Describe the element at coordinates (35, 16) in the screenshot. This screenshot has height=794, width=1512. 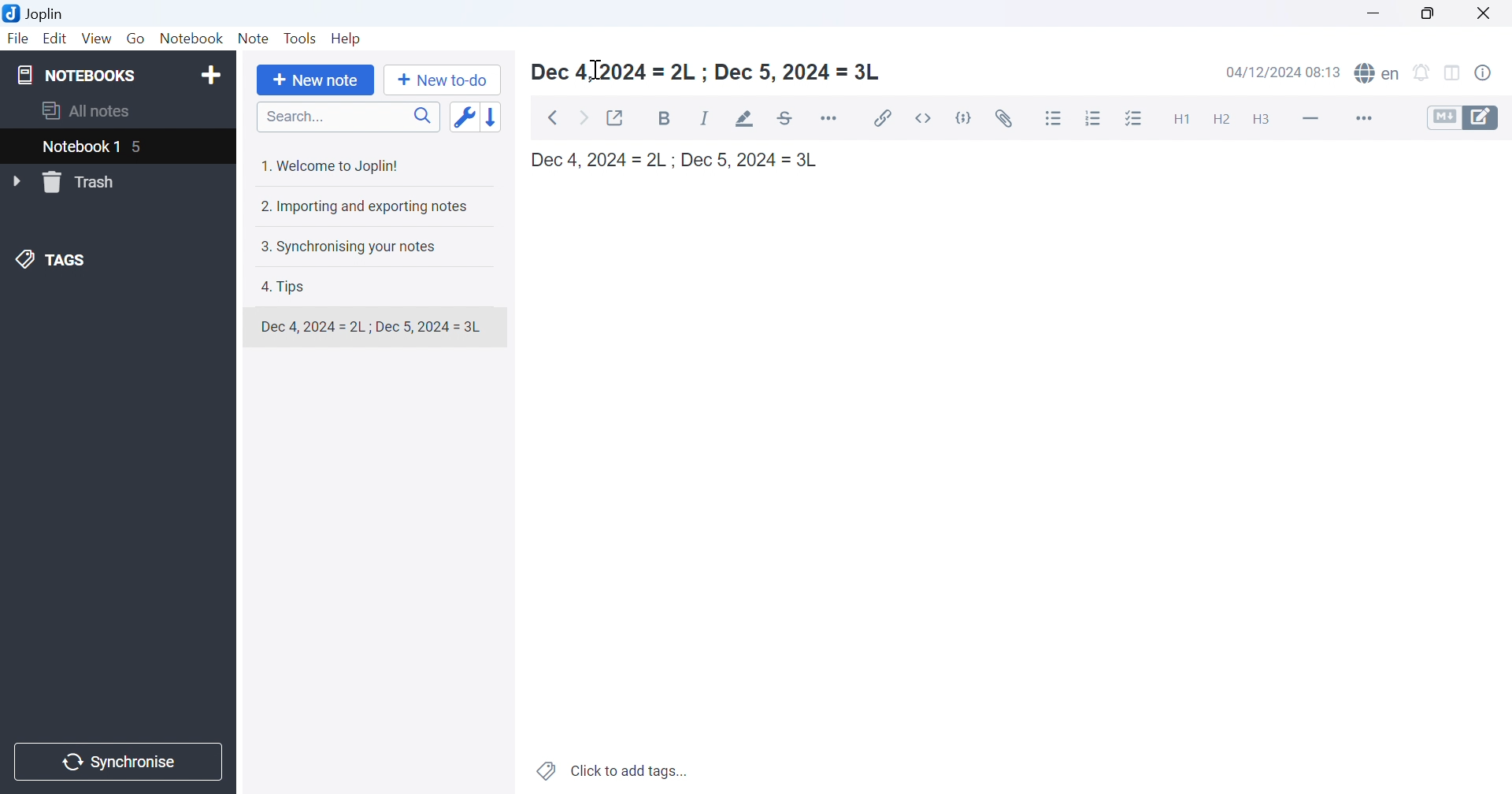
I see `Joplin` at that location.